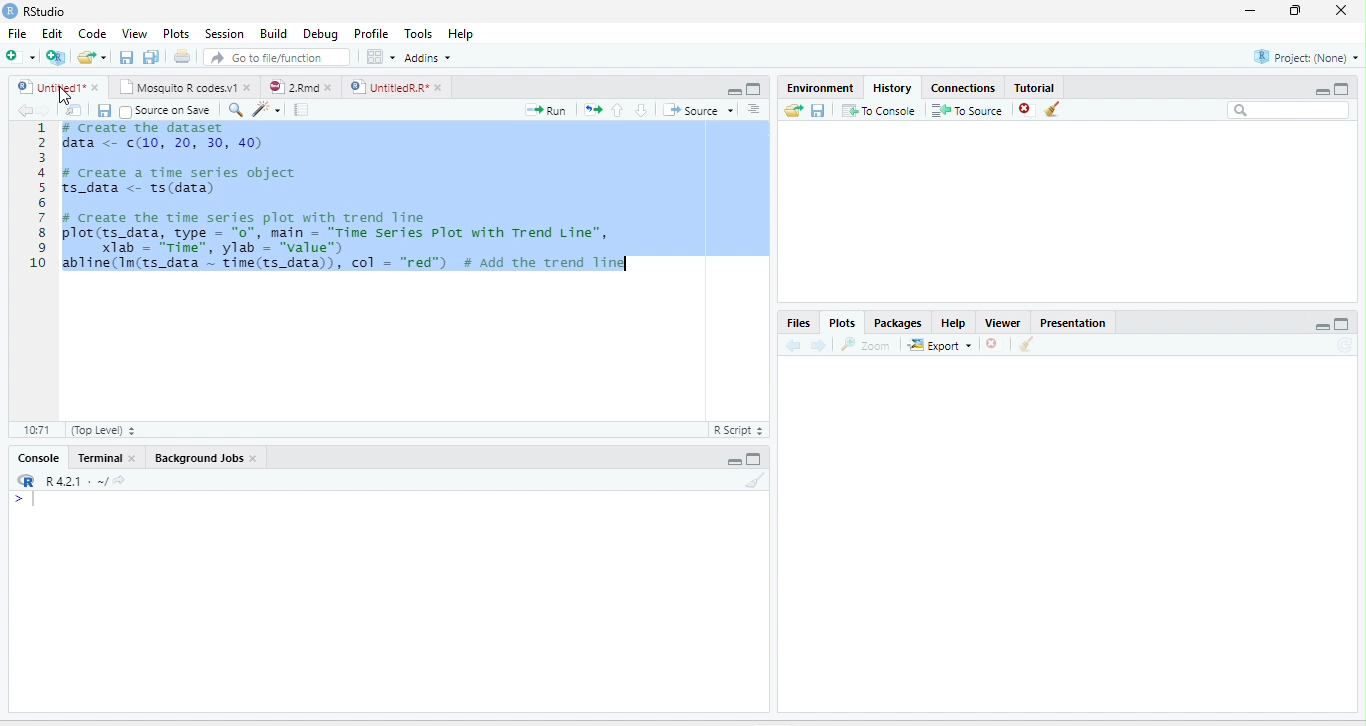 The image size is (1366, 726). What do you see at coordinates (897, 322) in the screenshot?
I see `Packages` at bounding box center [897, 322].